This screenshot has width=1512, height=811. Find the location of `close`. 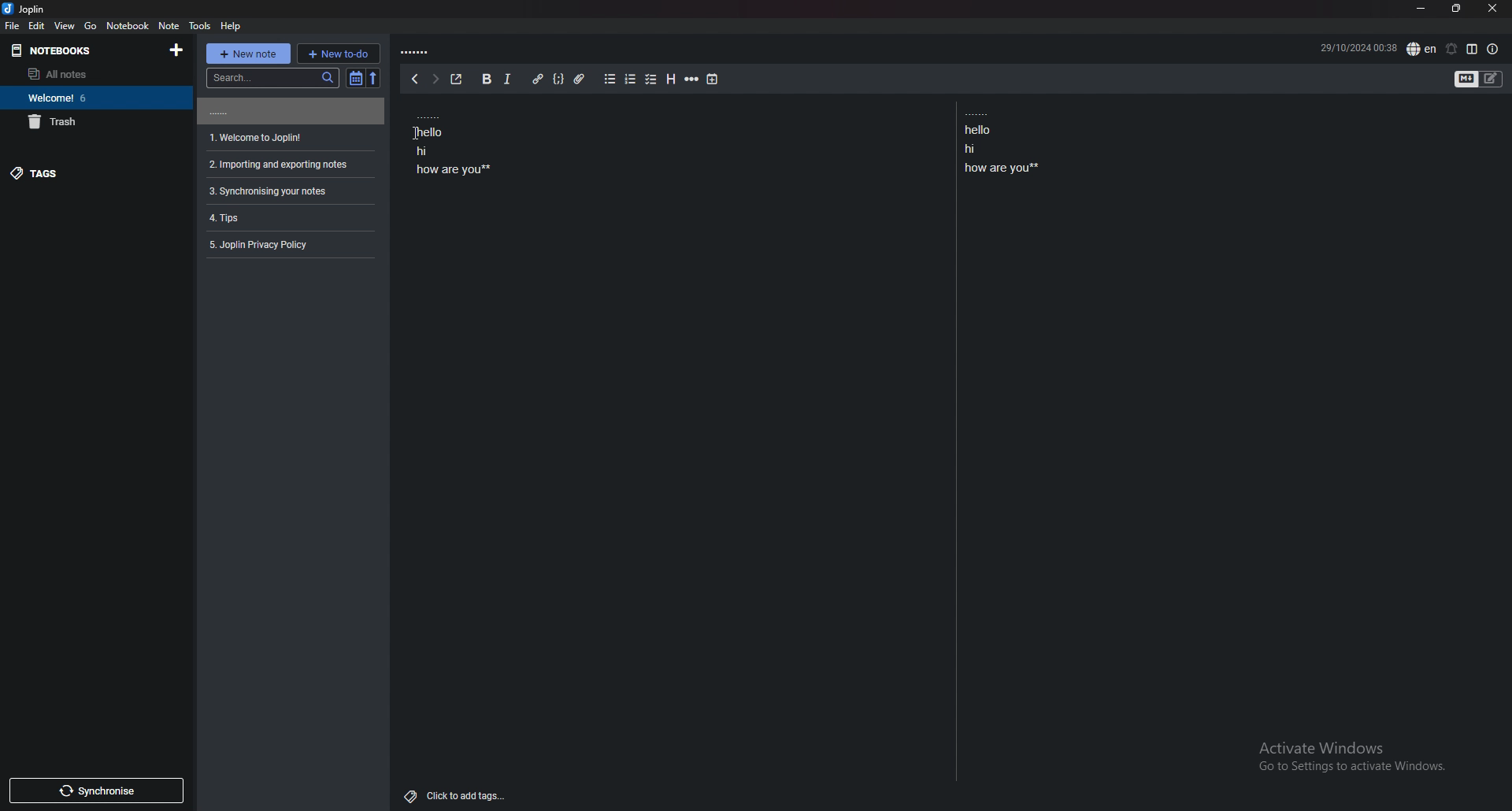

close is located at coordinates (1493, 8).